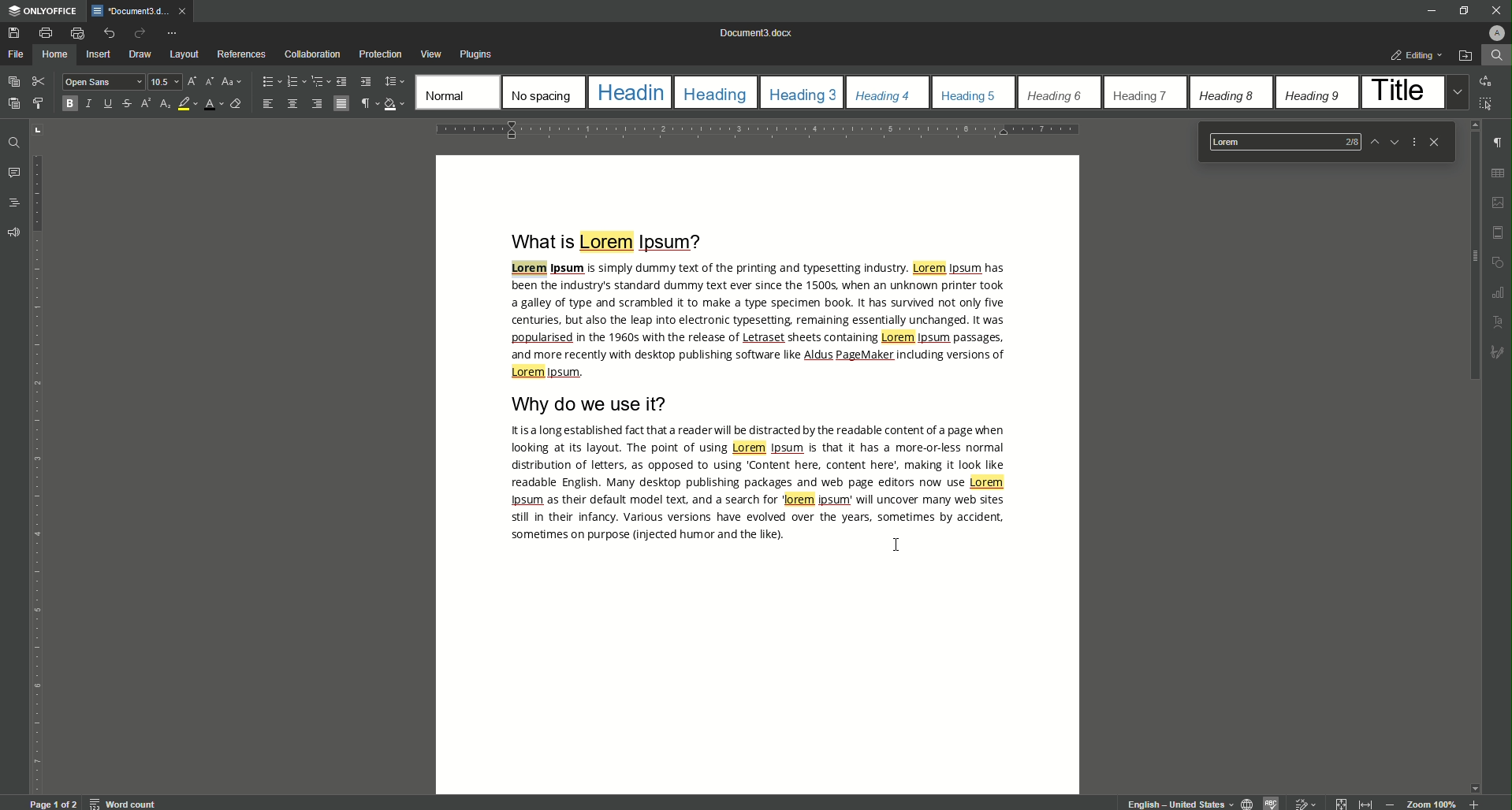 Image resolution: width=1512 pixels, height=810 pixels. What do you see at coordinates (1495, 55) in the screenshot?
I see `Find` at bounding box center [1495, 55].